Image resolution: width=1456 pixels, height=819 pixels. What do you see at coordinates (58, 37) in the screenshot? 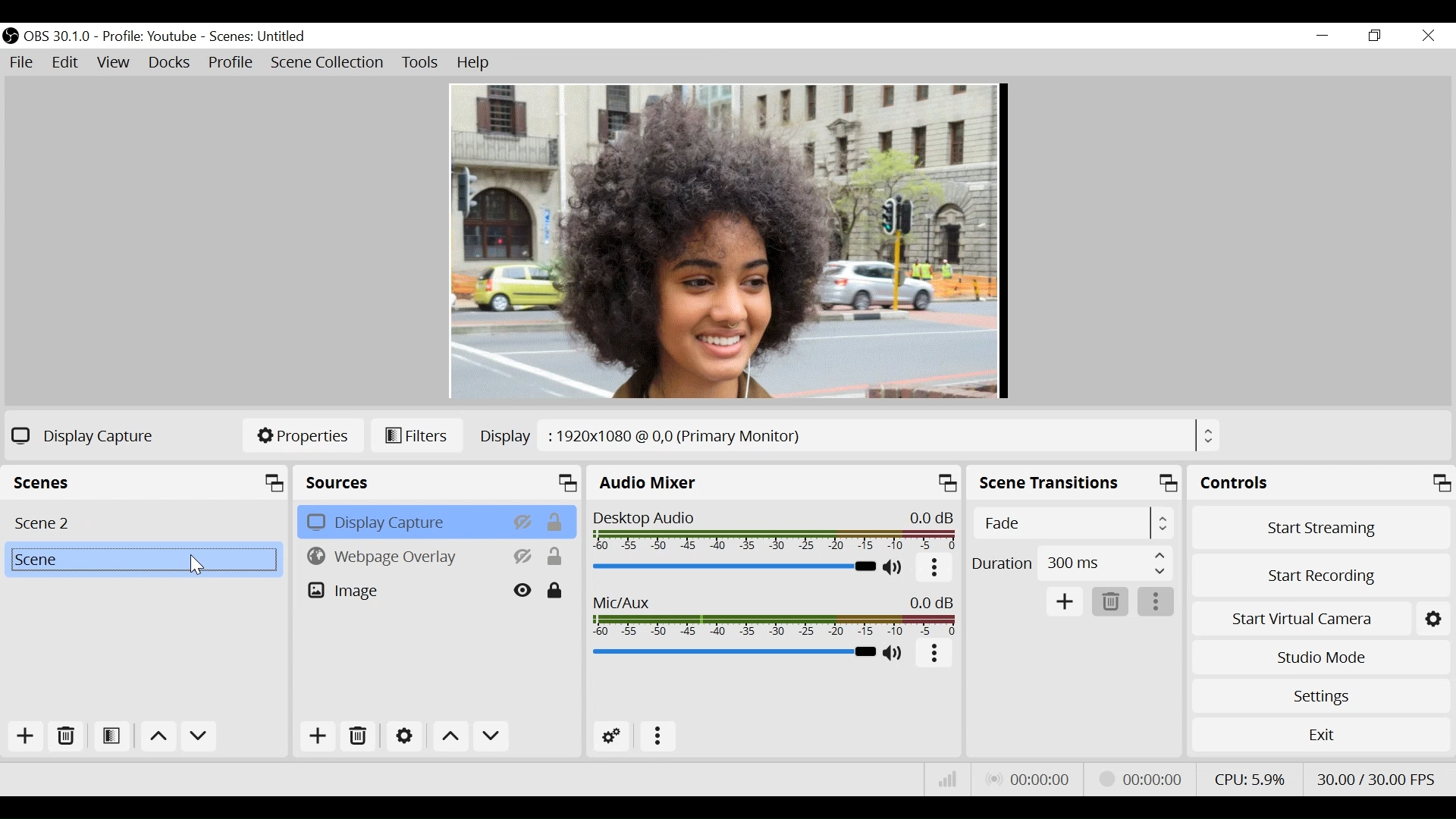
I see `OBS Version` at bounding box center [58, 37].